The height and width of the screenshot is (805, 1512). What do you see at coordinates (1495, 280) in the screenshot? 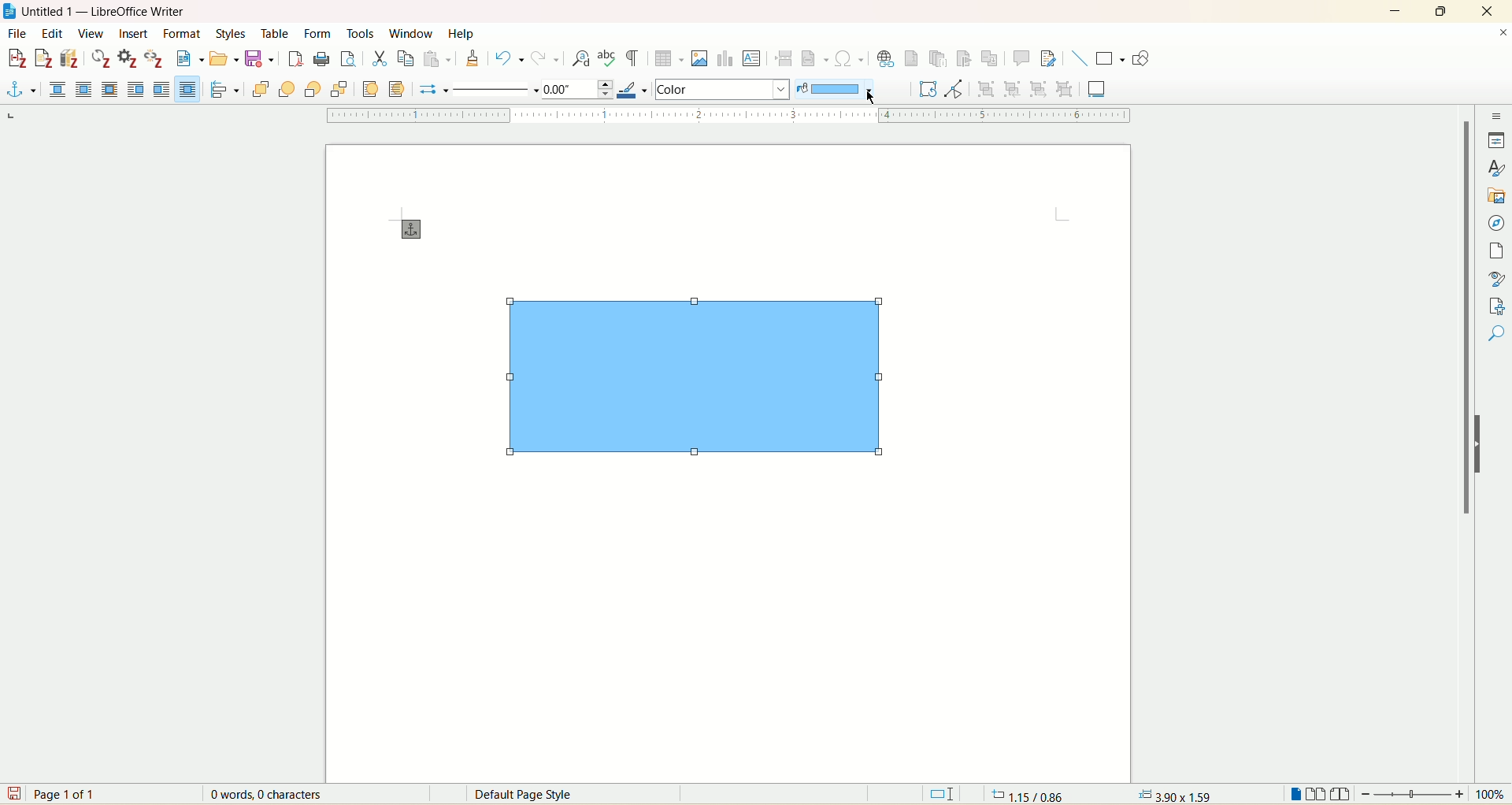
I see `style inspector` at bounding box center [1495, 280].